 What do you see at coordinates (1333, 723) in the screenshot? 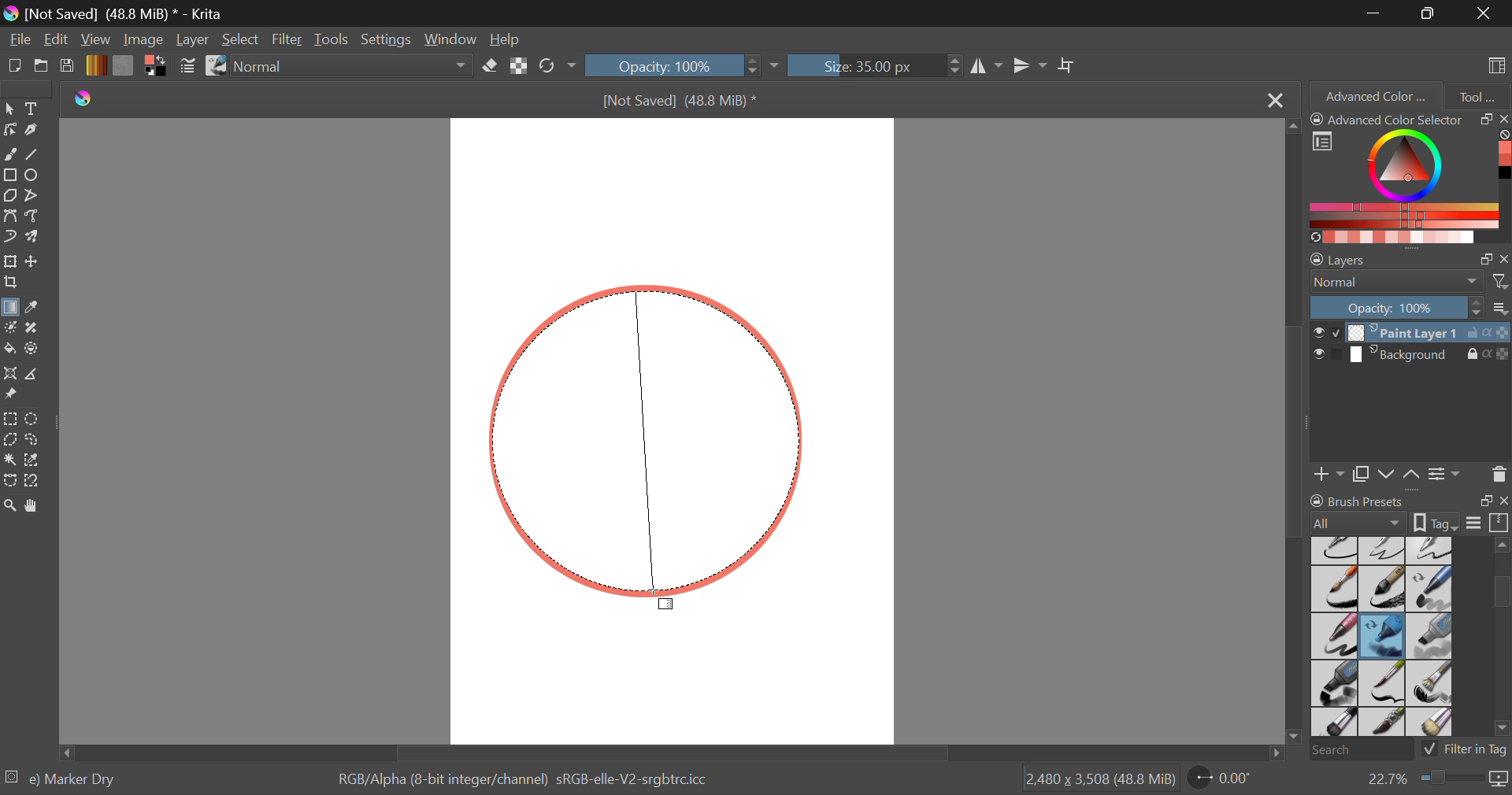
I see `Bristles-3 Large Smooth` at bounding box center [1333, 723].